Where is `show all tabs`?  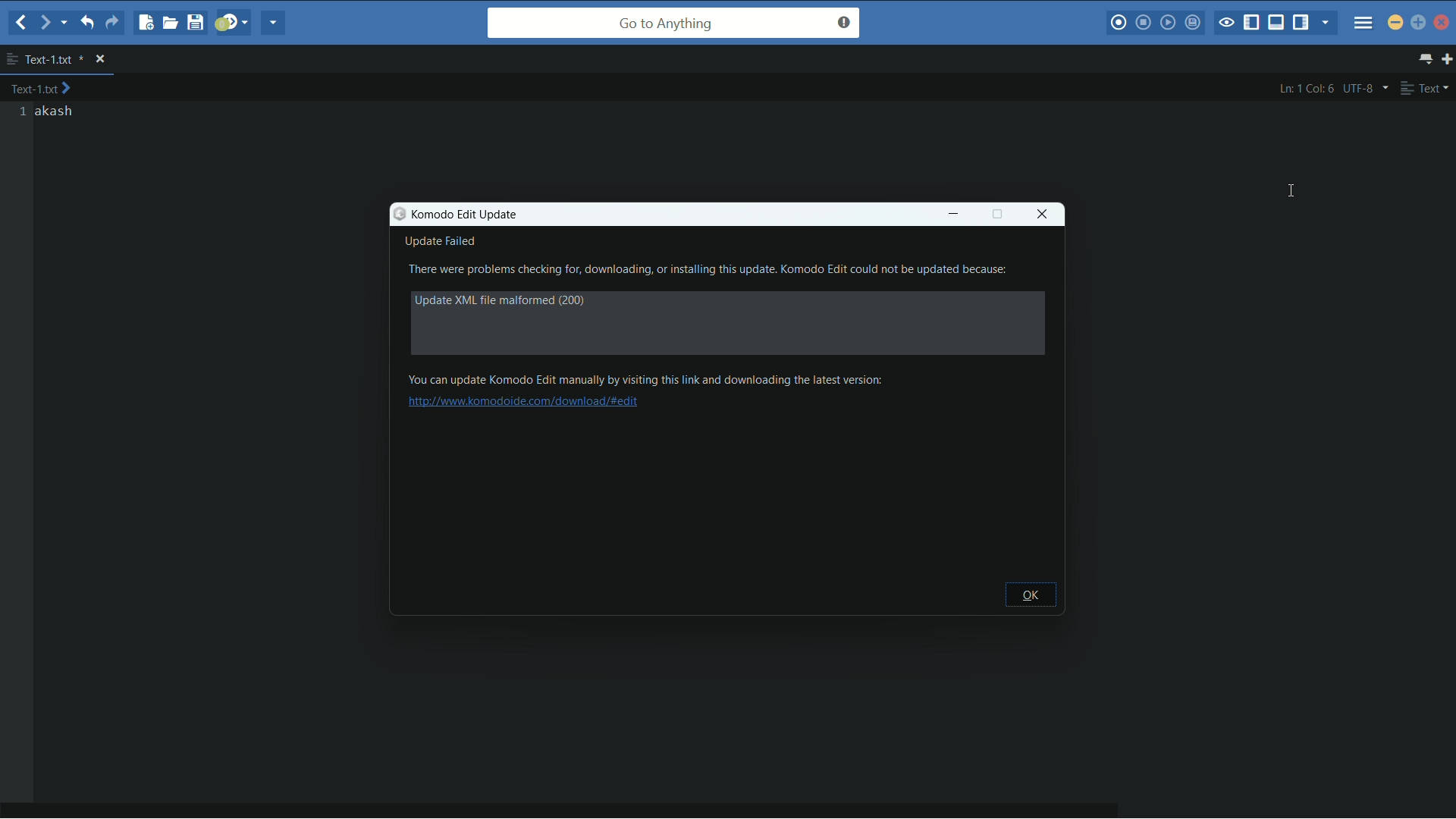
show all tabs is located at coordinates (1423, 58).